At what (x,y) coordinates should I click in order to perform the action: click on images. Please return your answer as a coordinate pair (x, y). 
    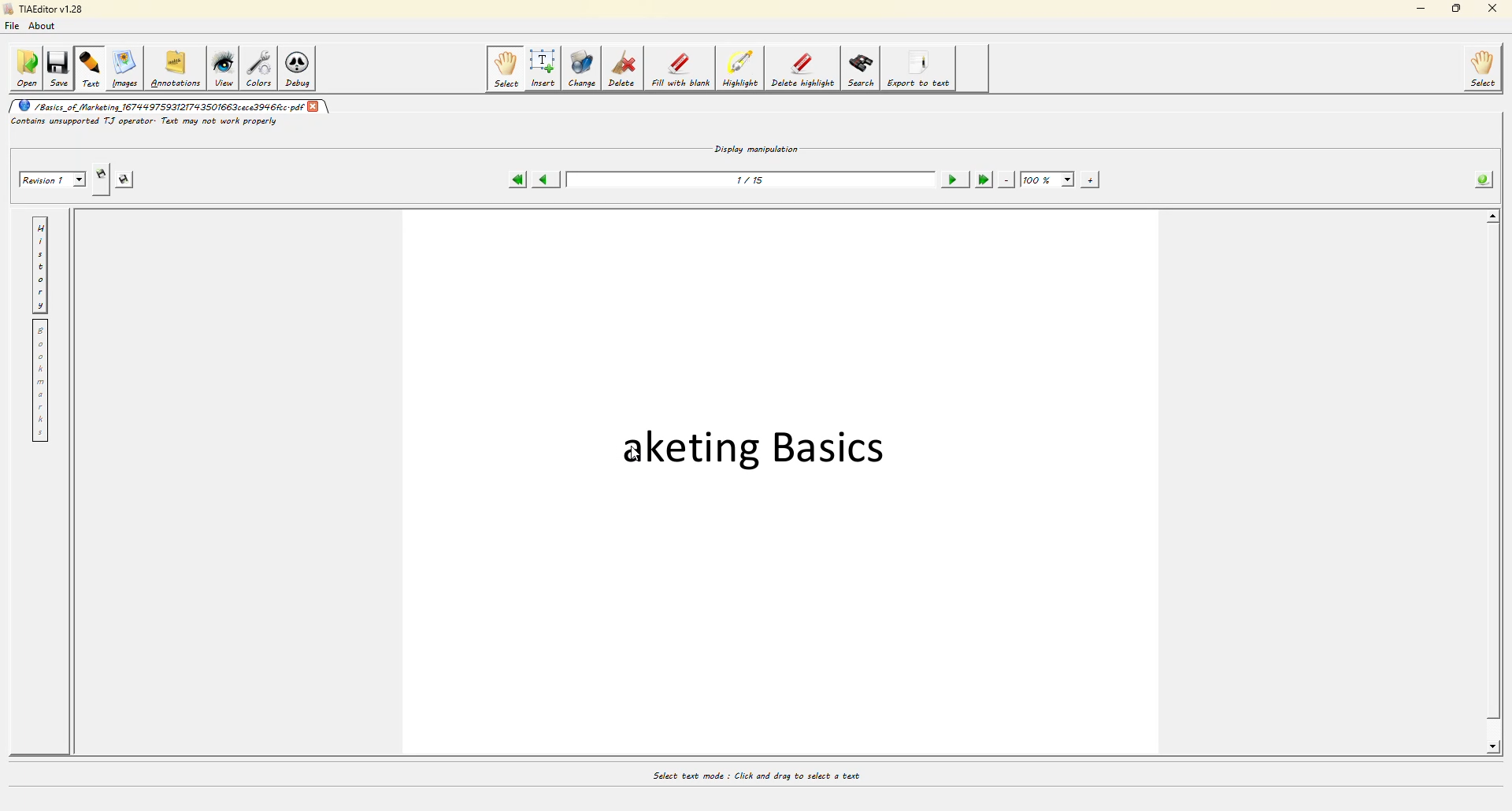
    Looking at the image, I should click on (128, 71).